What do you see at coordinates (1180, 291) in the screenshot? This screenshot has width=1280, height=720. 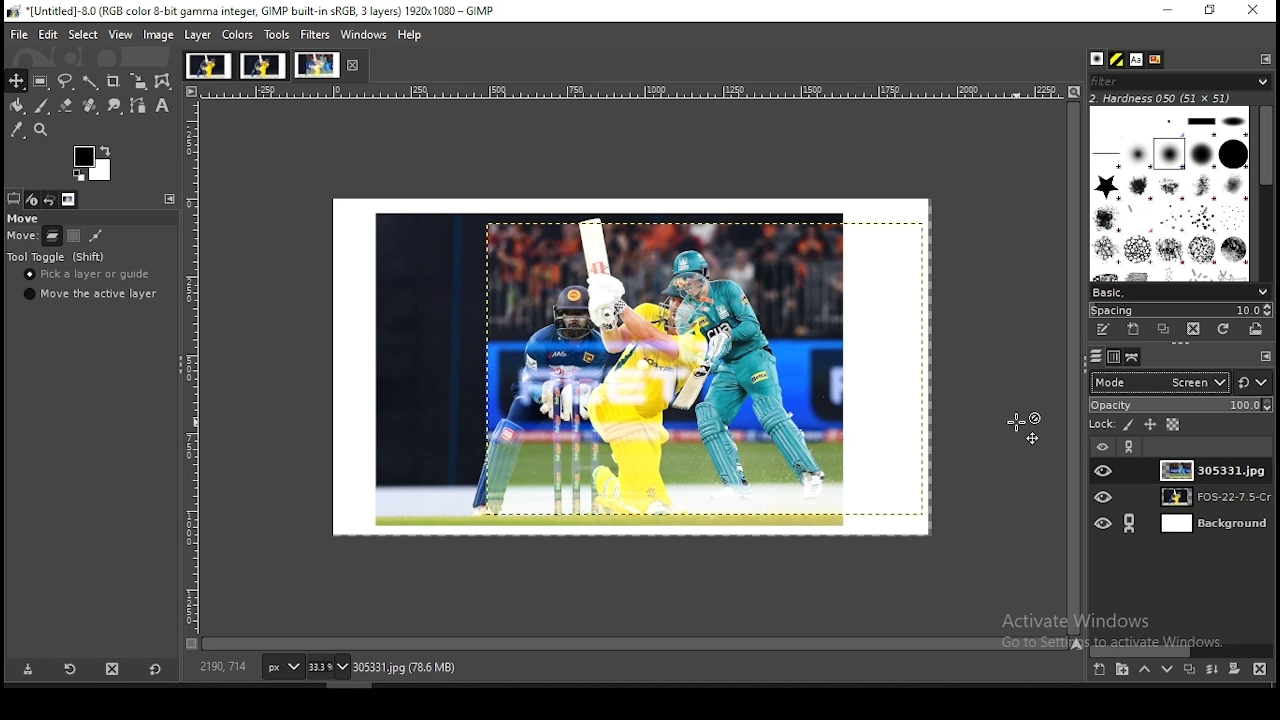 I see `select brush preset` at bounding box center [1180, 291].